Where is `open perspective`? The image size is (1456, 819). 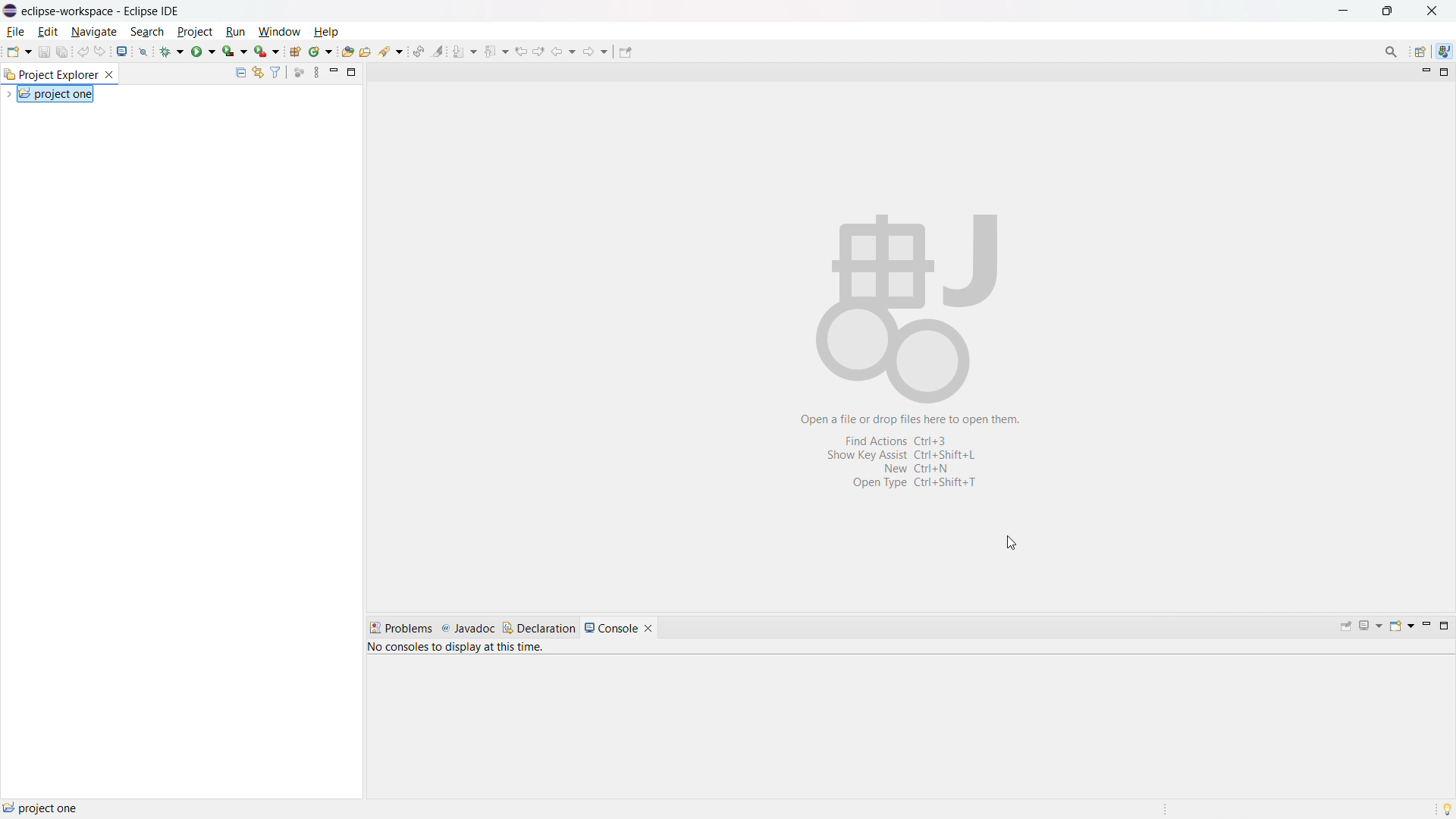
open perspective is located at coordinates (1421, 52).